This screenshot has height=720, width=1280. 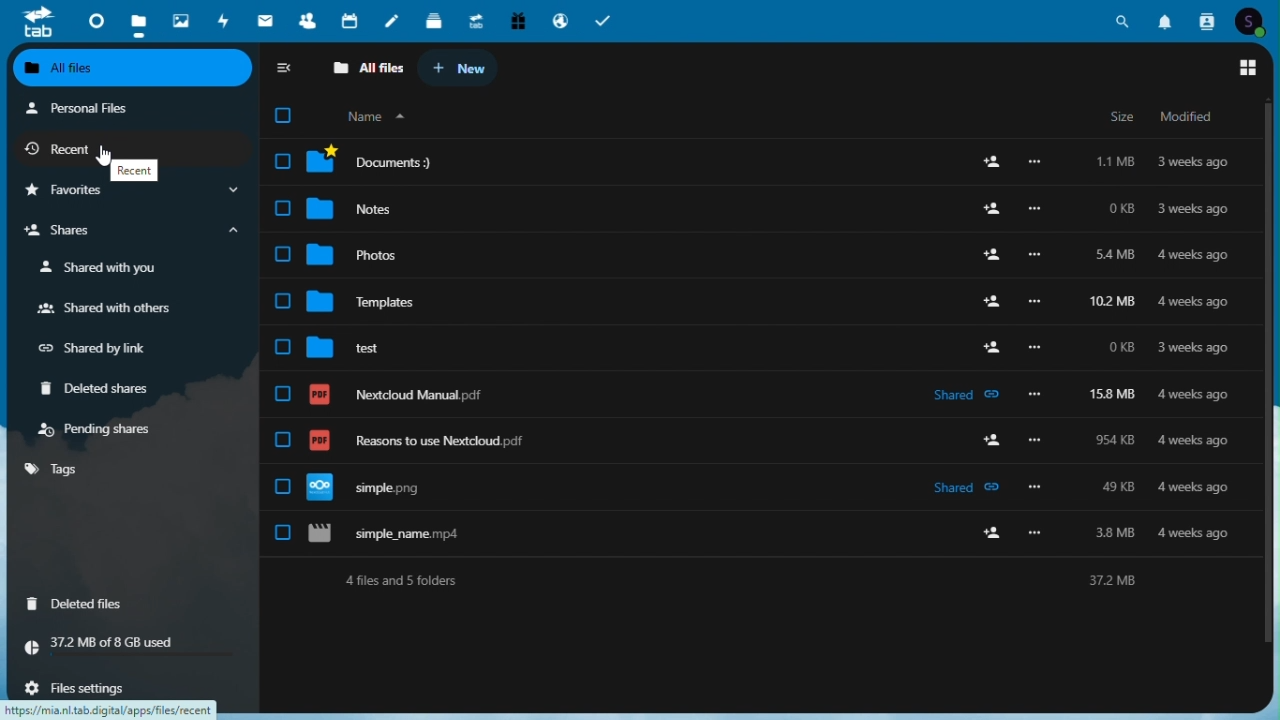 What do you see at coordinates (100, 307) in the screenshot?
I see `` at bounding box center [100, 307].